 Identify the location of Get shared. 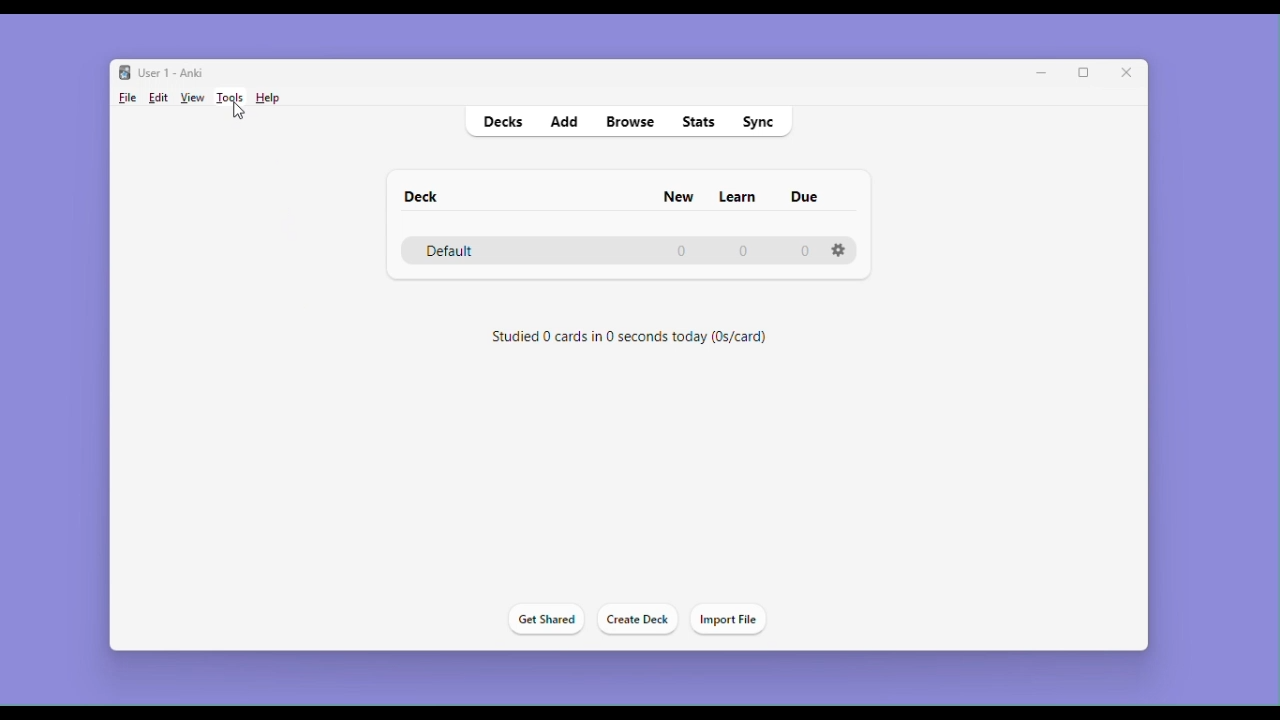
(550, 622).